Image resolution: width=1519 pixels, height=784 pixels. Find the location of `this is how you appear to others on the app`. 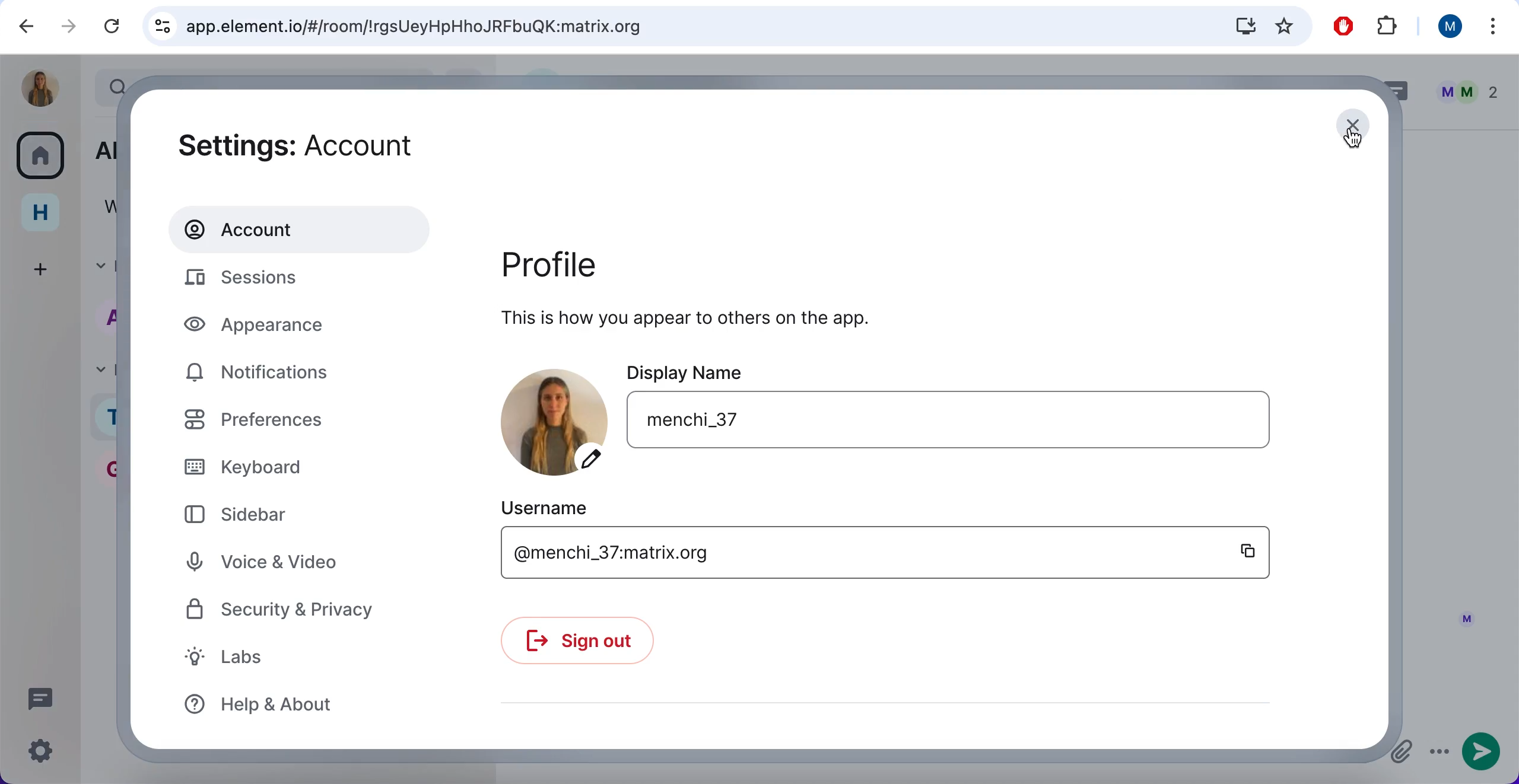

this is how you appear to others on the app is located at coordinates (757, 321).